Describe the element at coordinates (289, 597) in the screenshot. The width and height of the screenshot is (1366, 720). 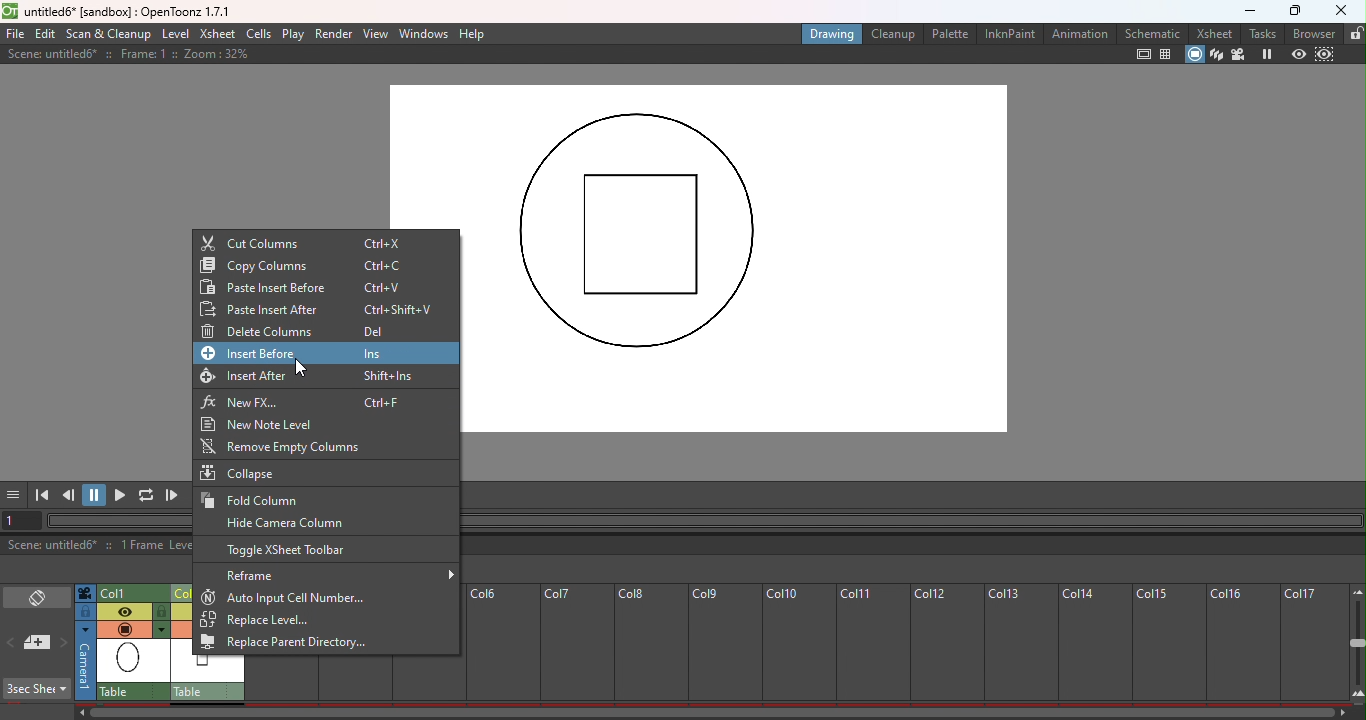
I see `Auto input cell number` at that location.